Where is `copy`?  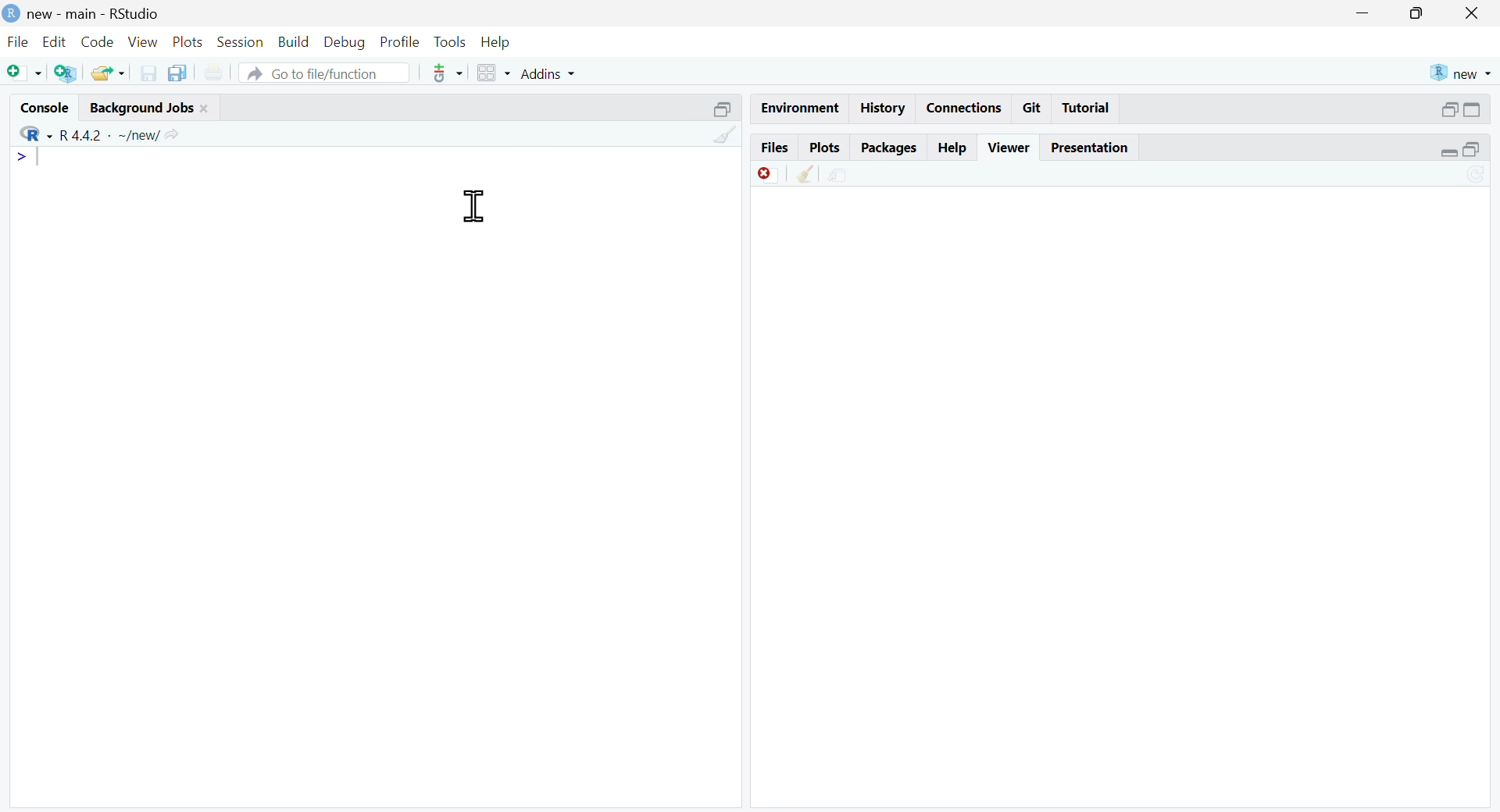 copy is located at coordinates (178, 71).